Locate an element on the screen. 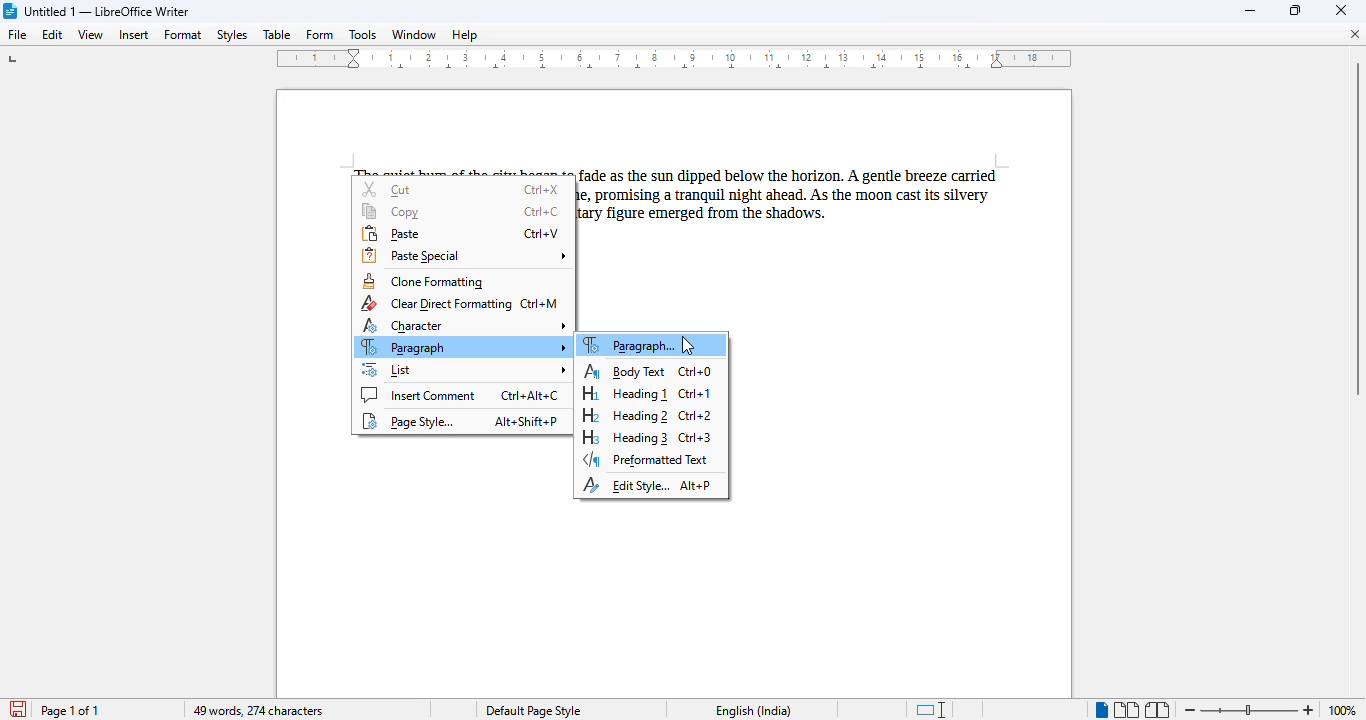 The height and width of the screenshot is (720, 1366). 100% is located at coordinates (1339, 710).